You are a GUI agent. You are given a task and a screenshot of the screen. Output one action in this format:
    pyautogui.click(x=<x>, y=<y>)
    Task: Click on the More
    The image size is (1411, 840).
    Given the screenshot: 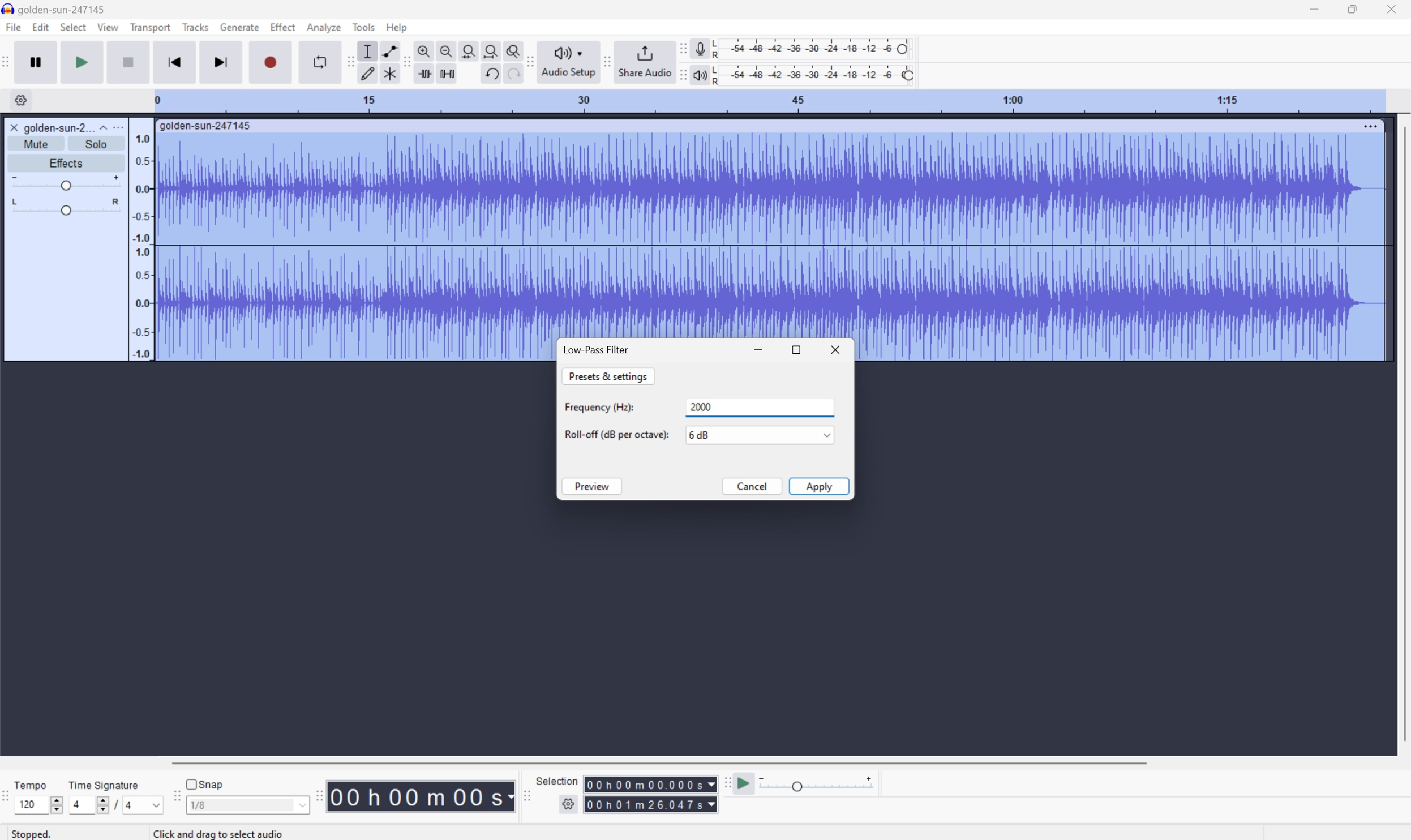 What is the action you would take?
    pyautogui.click(x=117, y=127)
    